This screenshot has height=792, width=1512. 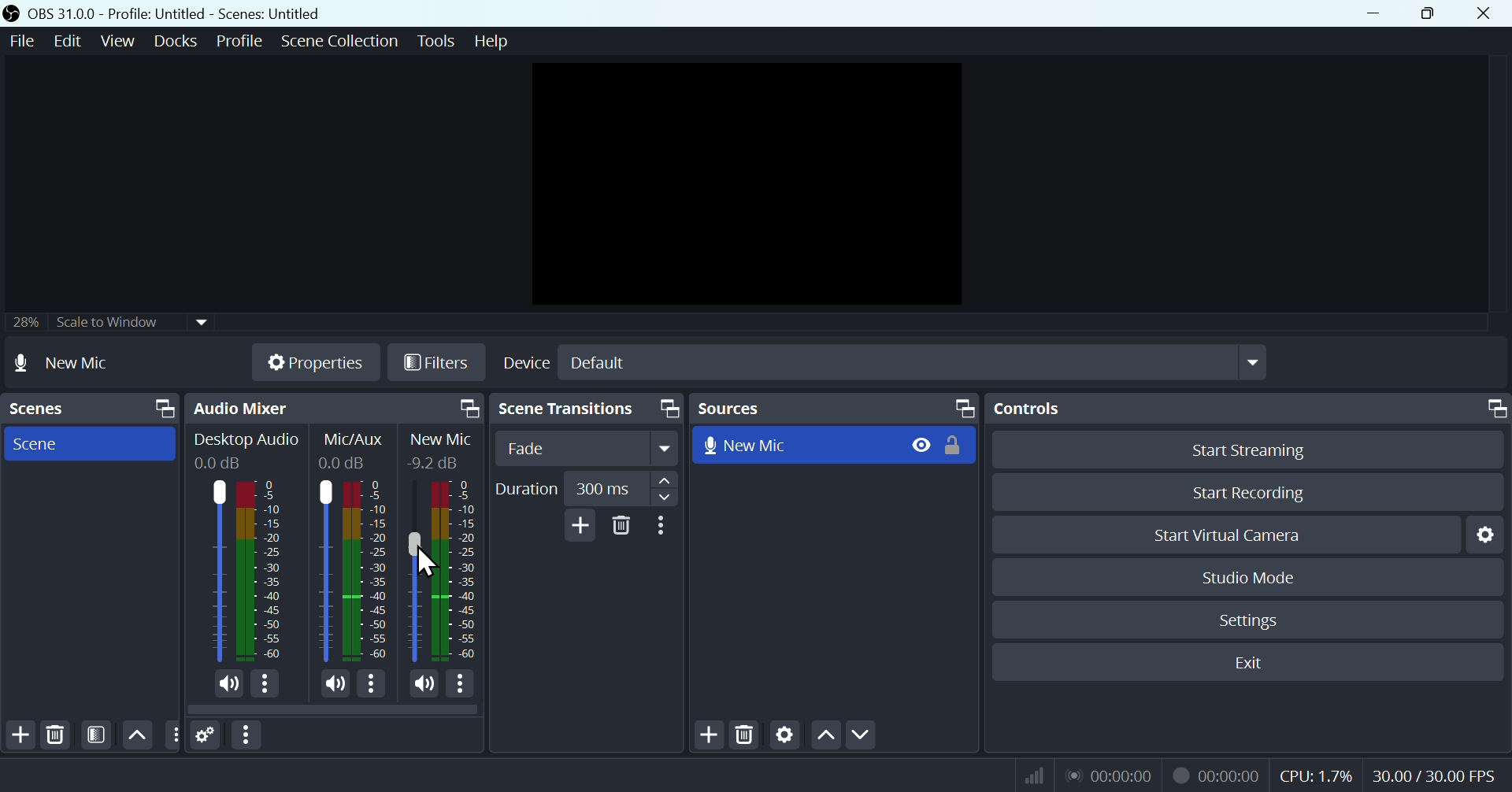 I want to click on Tools, so click(x=439, y=41).